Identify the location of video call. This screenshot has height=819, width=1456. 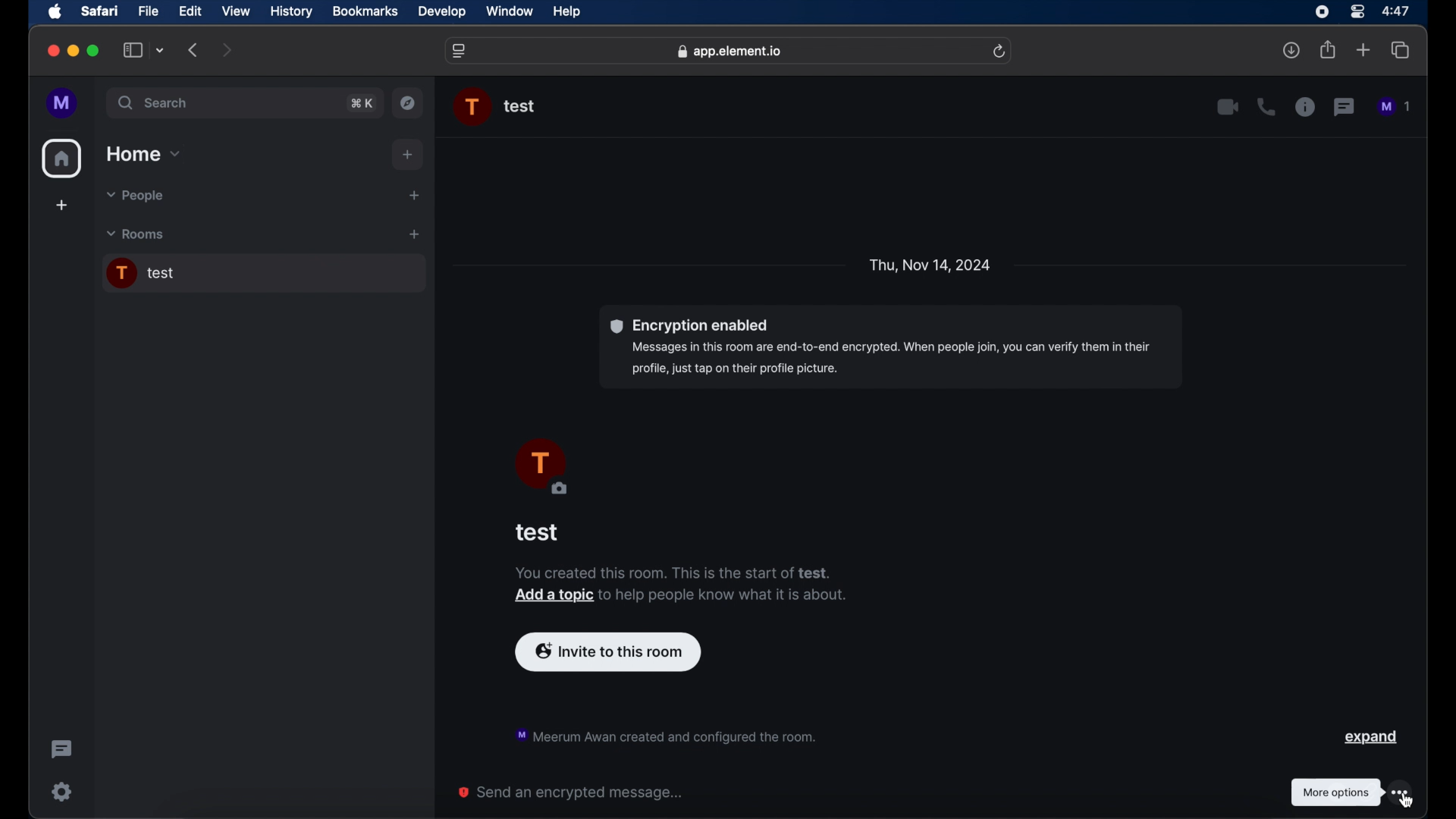
(1228, 107).